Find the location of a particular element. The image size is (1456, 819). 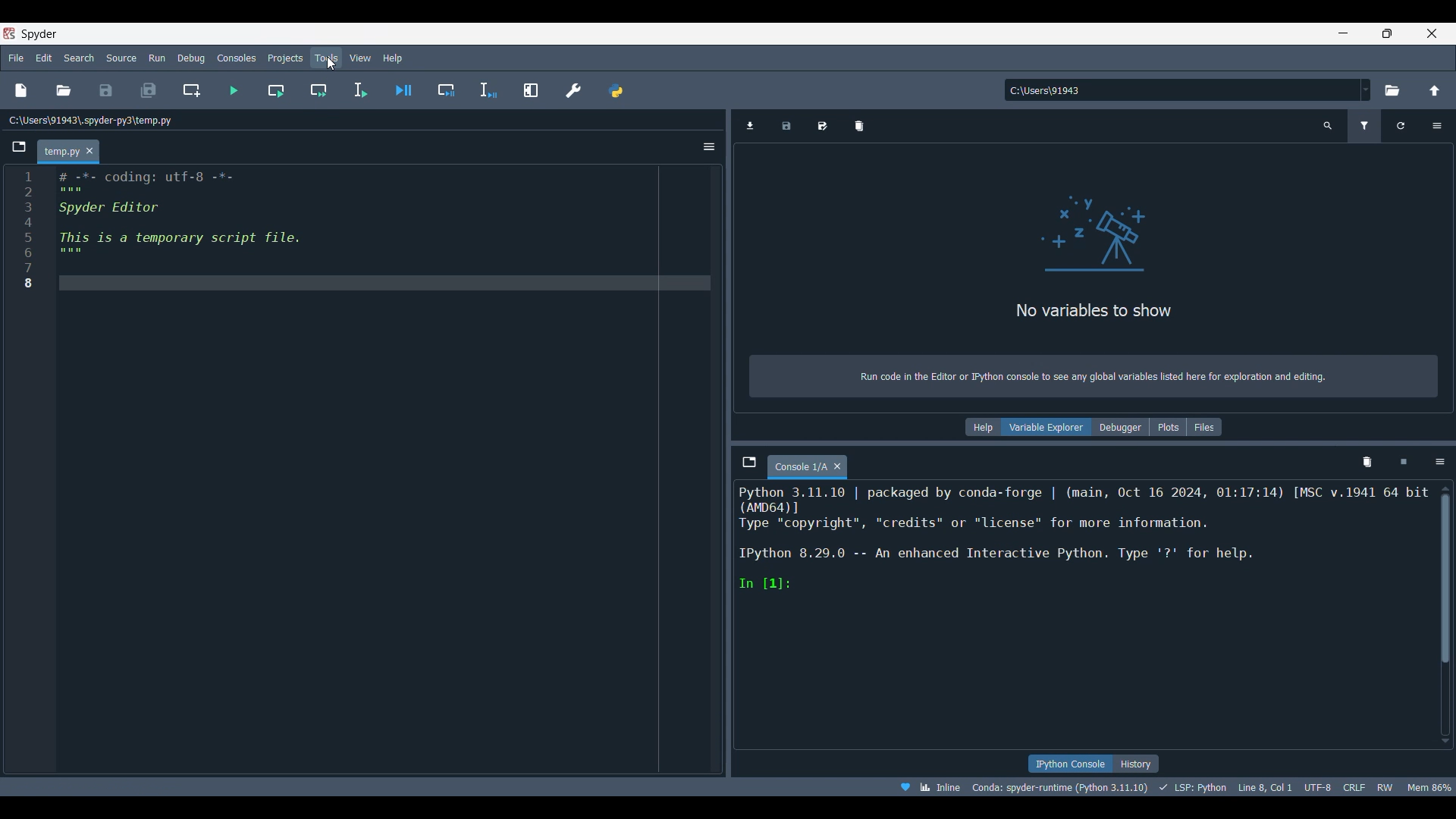

Preferences is located at coordinates (574, 90).